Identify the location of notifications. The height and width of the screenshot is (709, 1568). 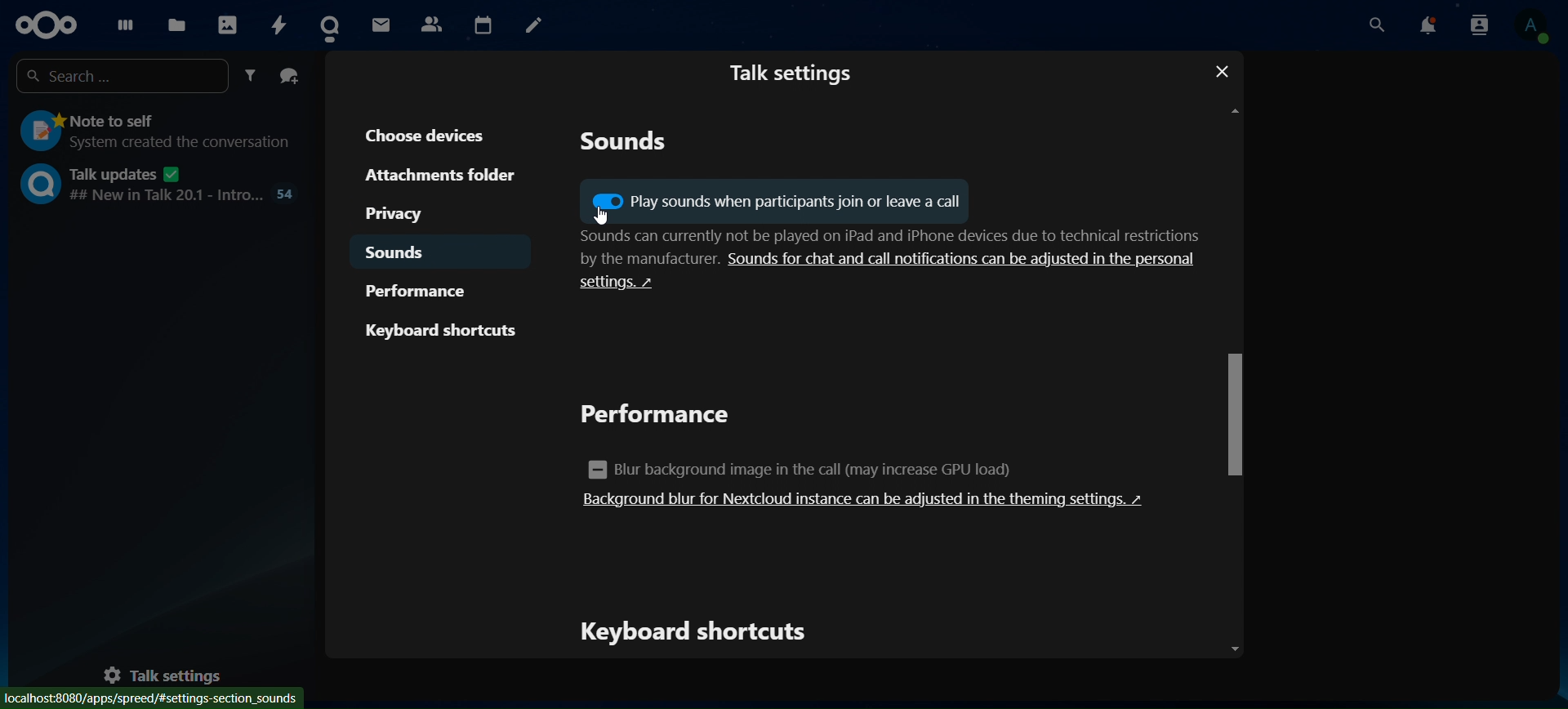
(1429, 26).